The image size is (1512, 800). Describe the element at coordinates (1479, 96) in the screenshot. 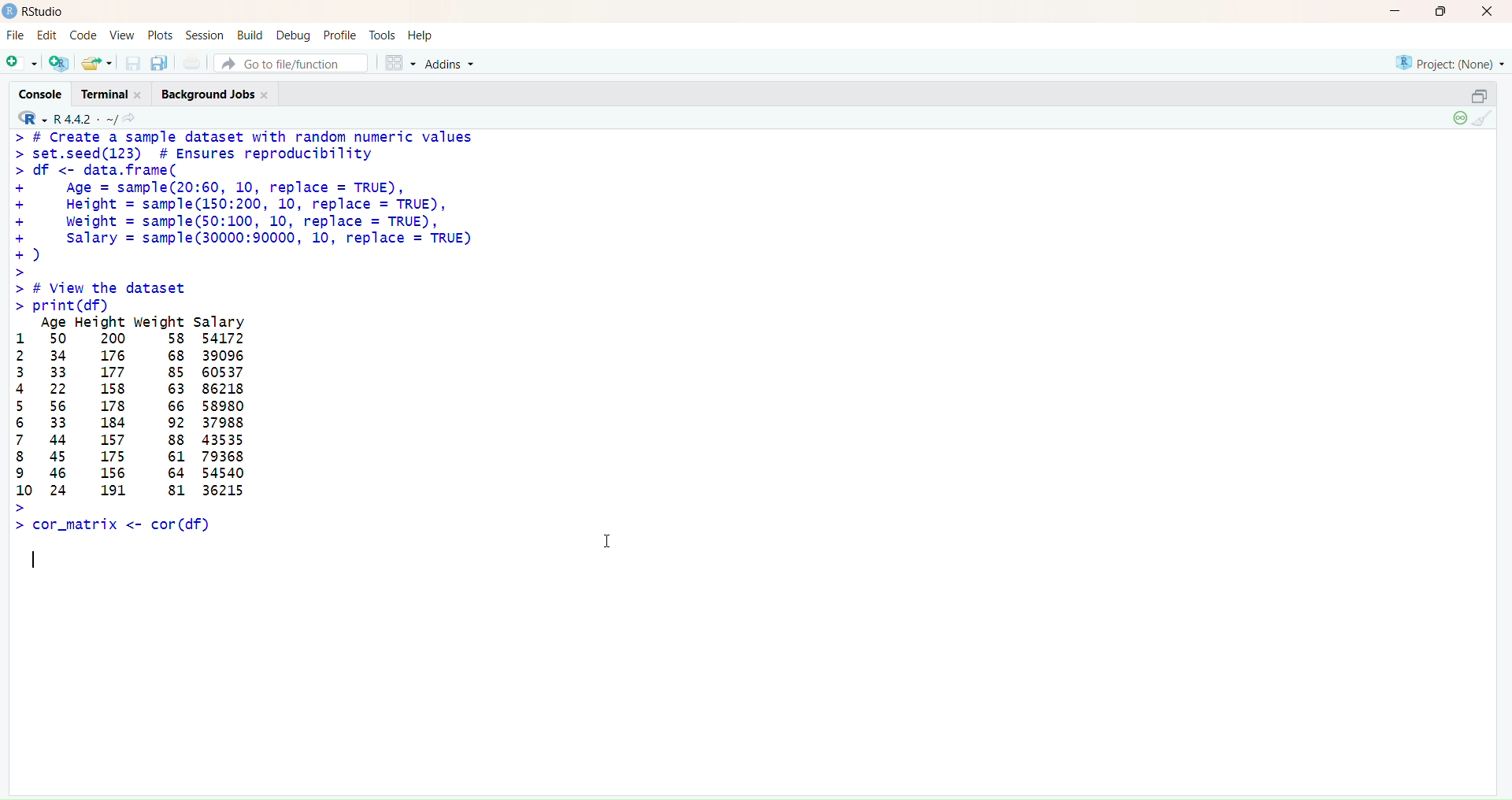

I see `Restore` at that location.